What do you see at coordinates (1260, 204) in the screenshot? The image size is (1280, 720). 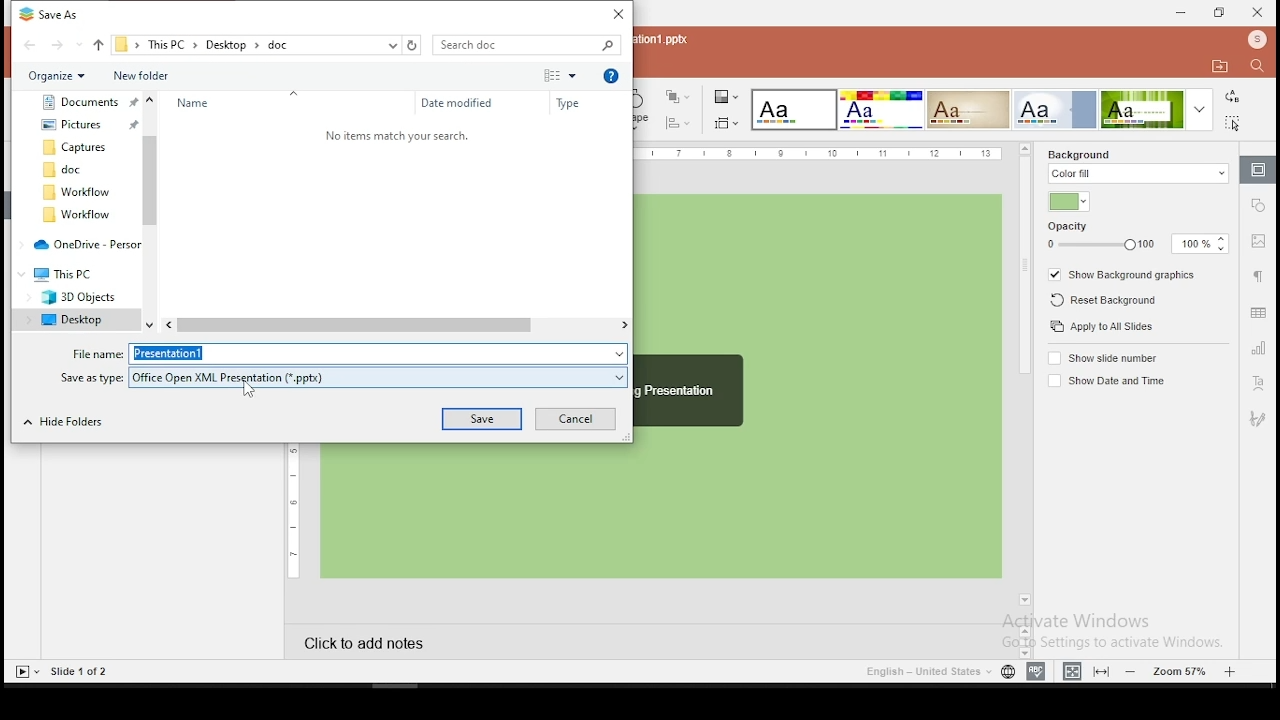 I see `shape settings` at bounding box center [1260, 204].